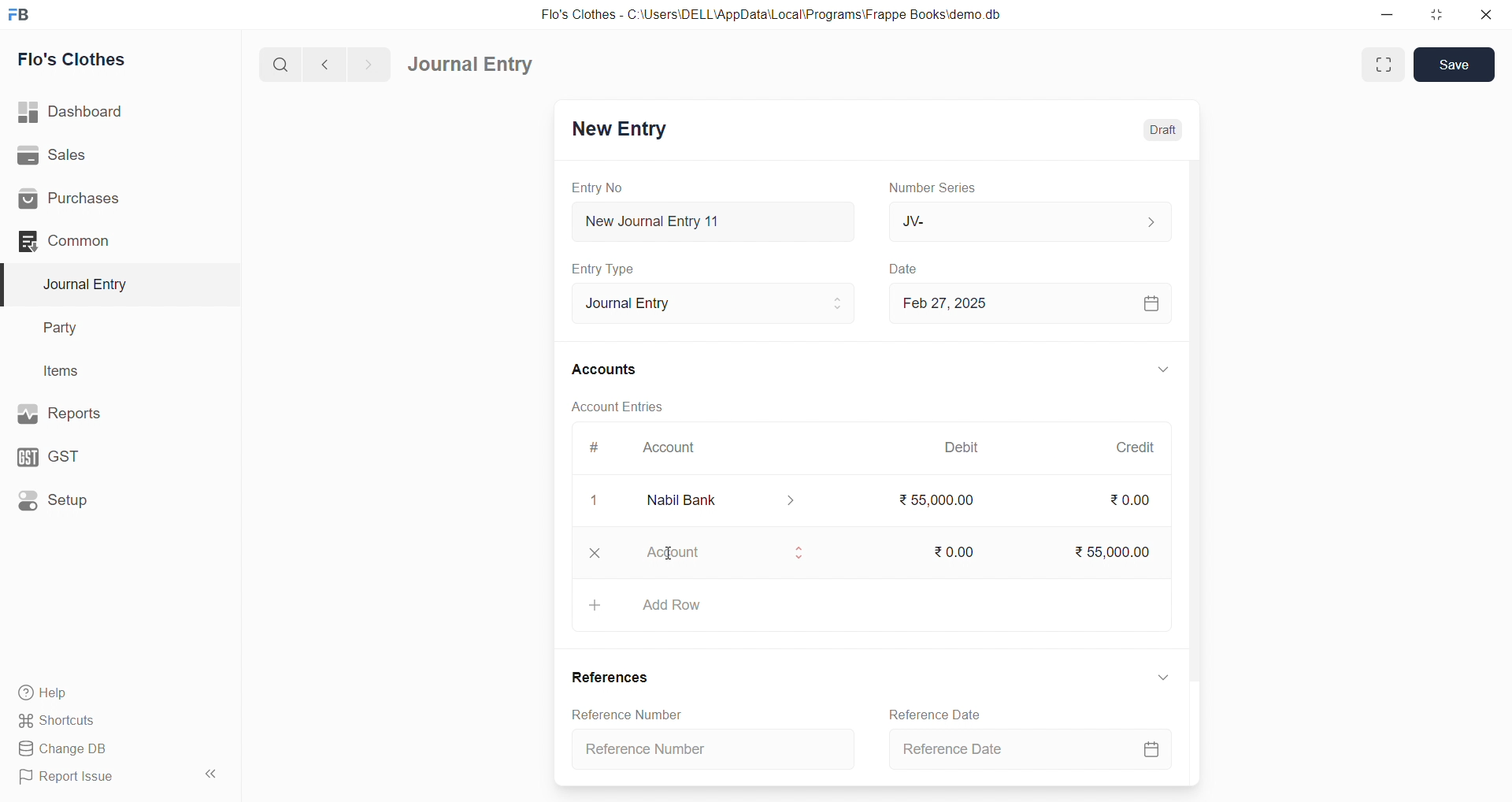 The height and width of the screenshot is (802, 1512). What do you see at coordinates (1026, 751) in the screenshot?
I see `Reference Date` at bounding box center [1026, 751].